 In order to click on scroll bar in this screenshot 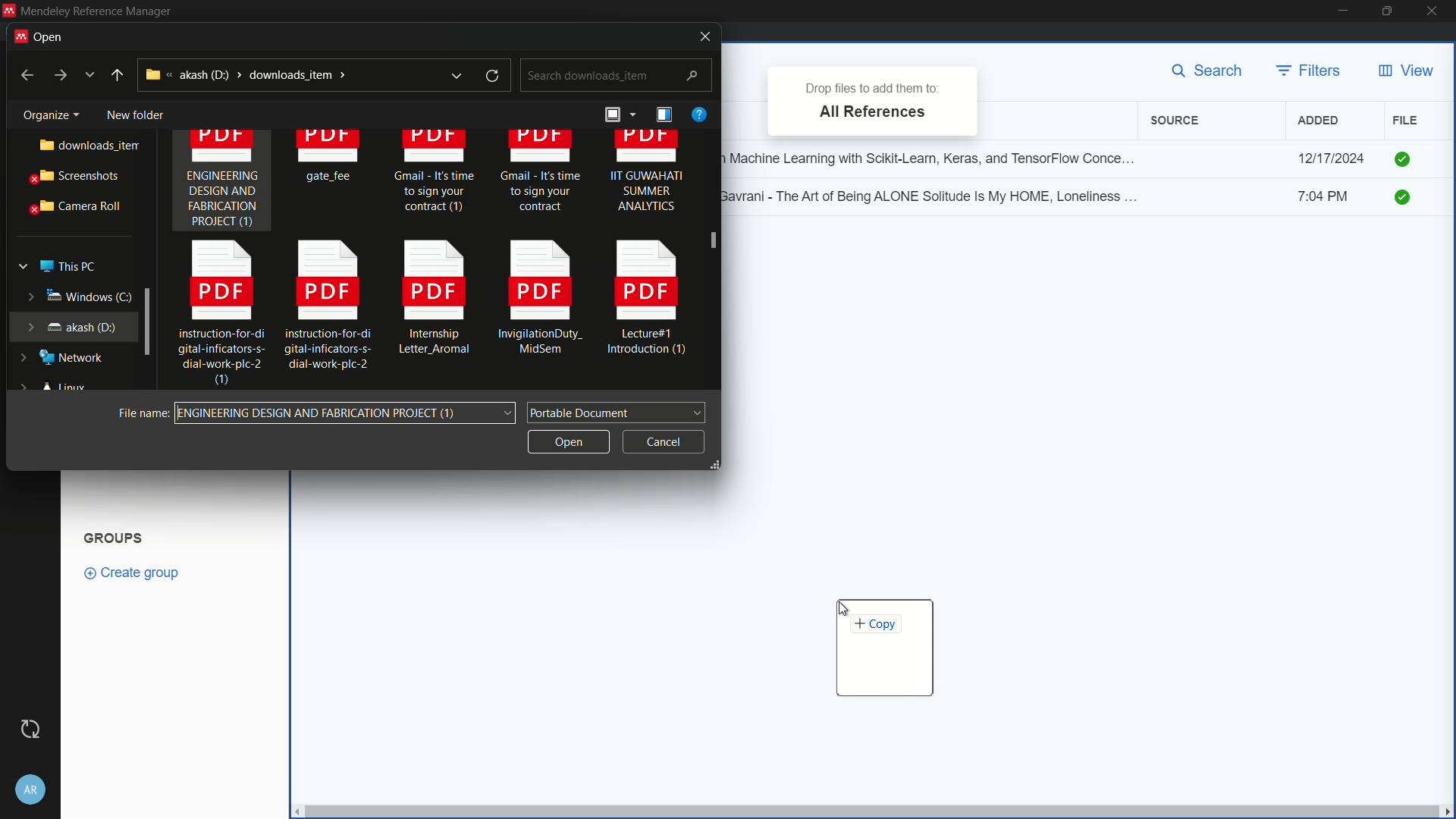, I will do `click(713, 261)`.